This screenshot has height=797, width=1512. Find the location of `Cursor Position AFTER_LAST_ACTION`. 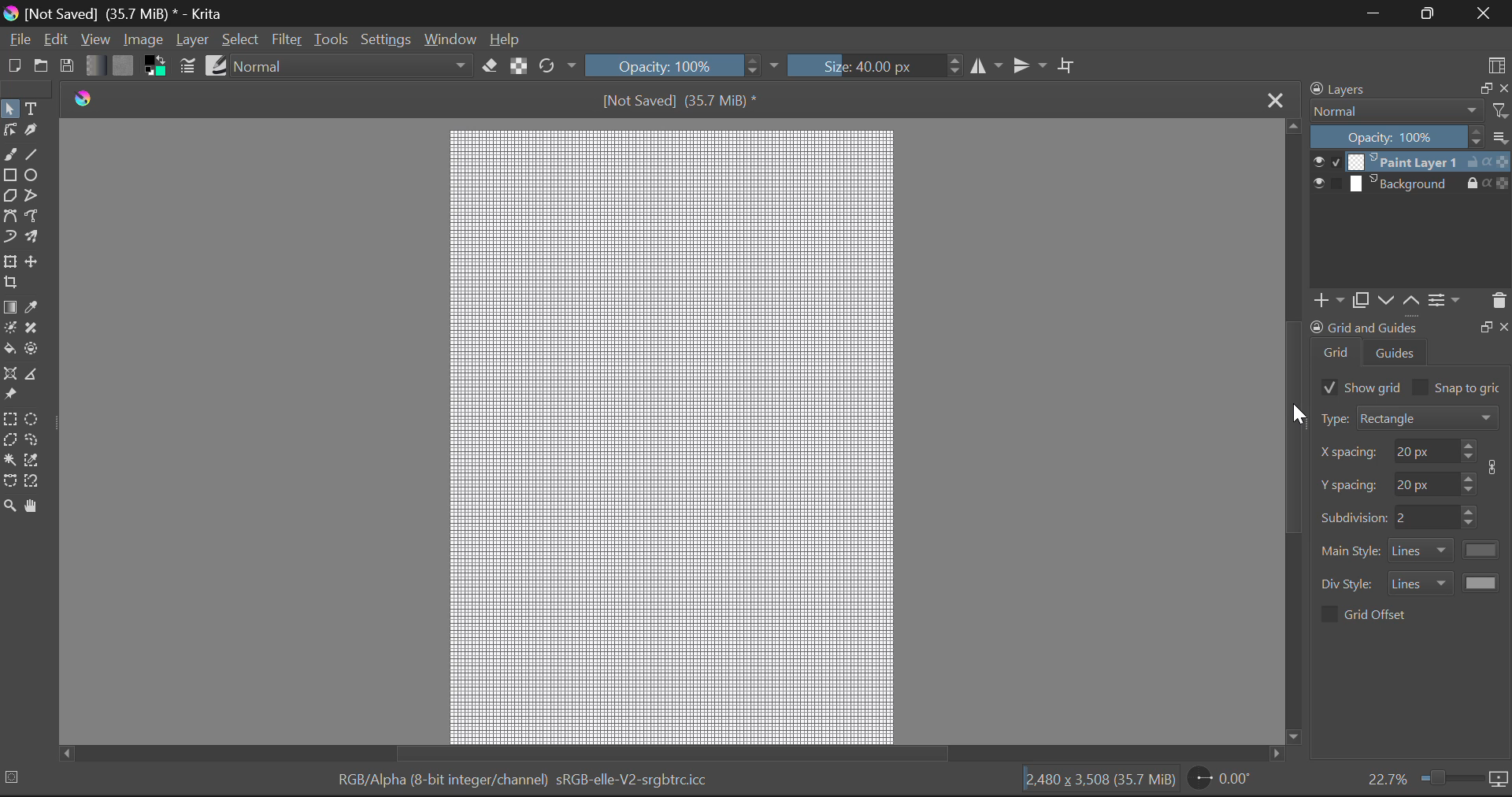

Cursor Position AFTER_LAST_ACTION is located at coordinates (1295, 414).